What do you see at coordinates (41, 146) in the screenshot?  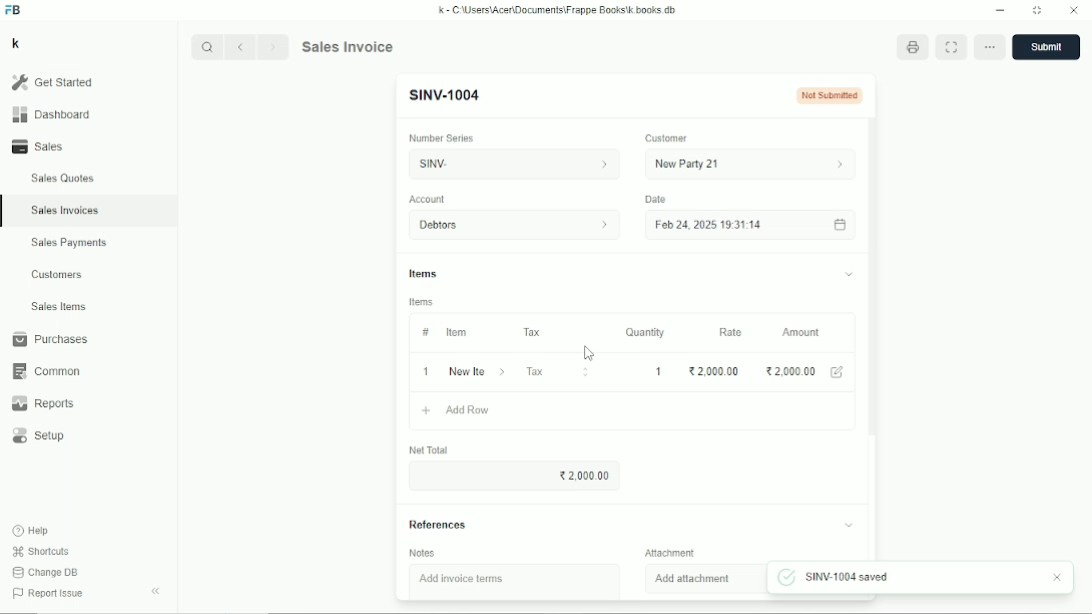 I see `Sales` at bounding box center [41, 146].